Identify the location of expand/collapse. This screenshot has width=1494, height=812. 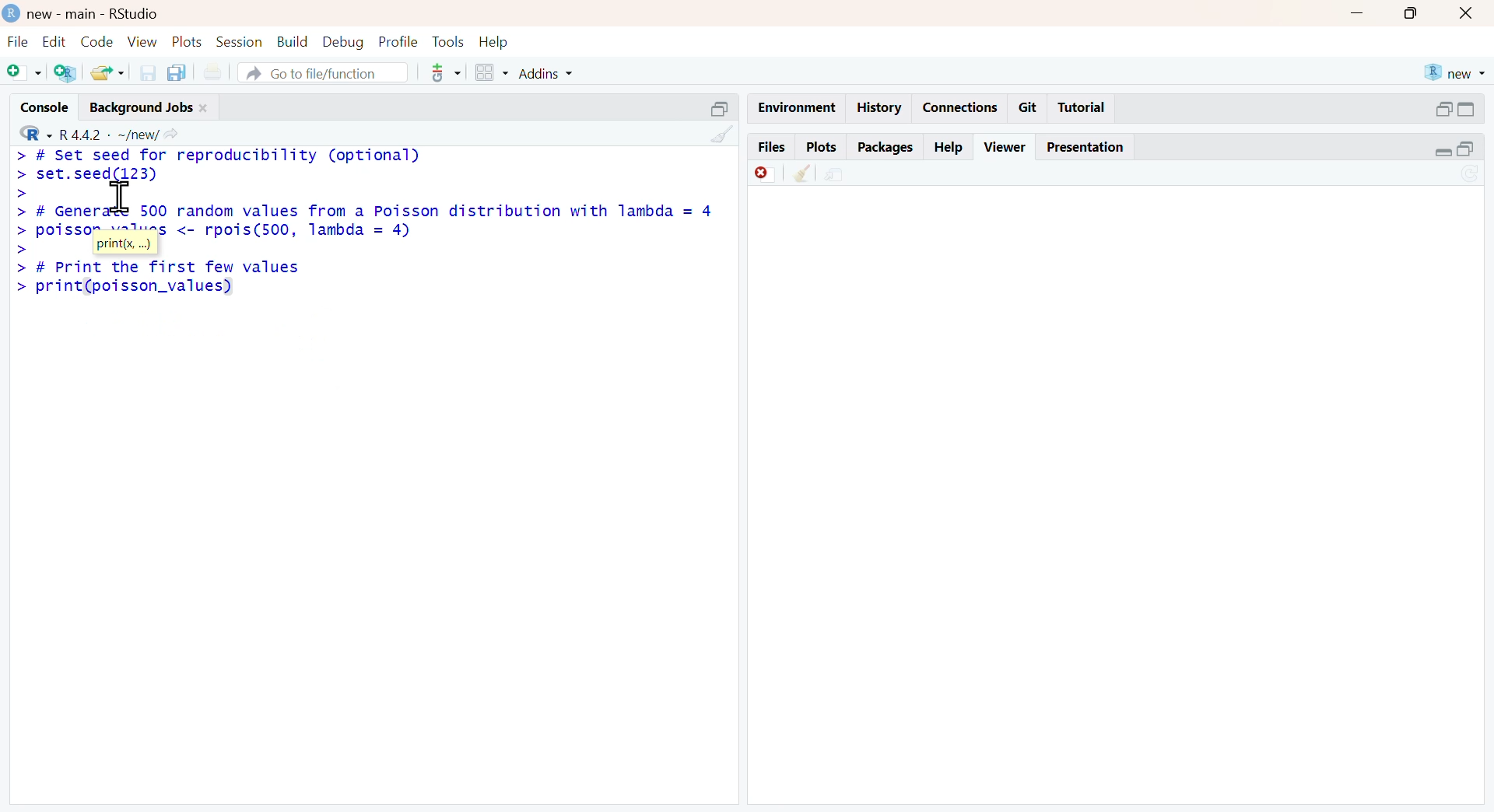
(1443, 152).